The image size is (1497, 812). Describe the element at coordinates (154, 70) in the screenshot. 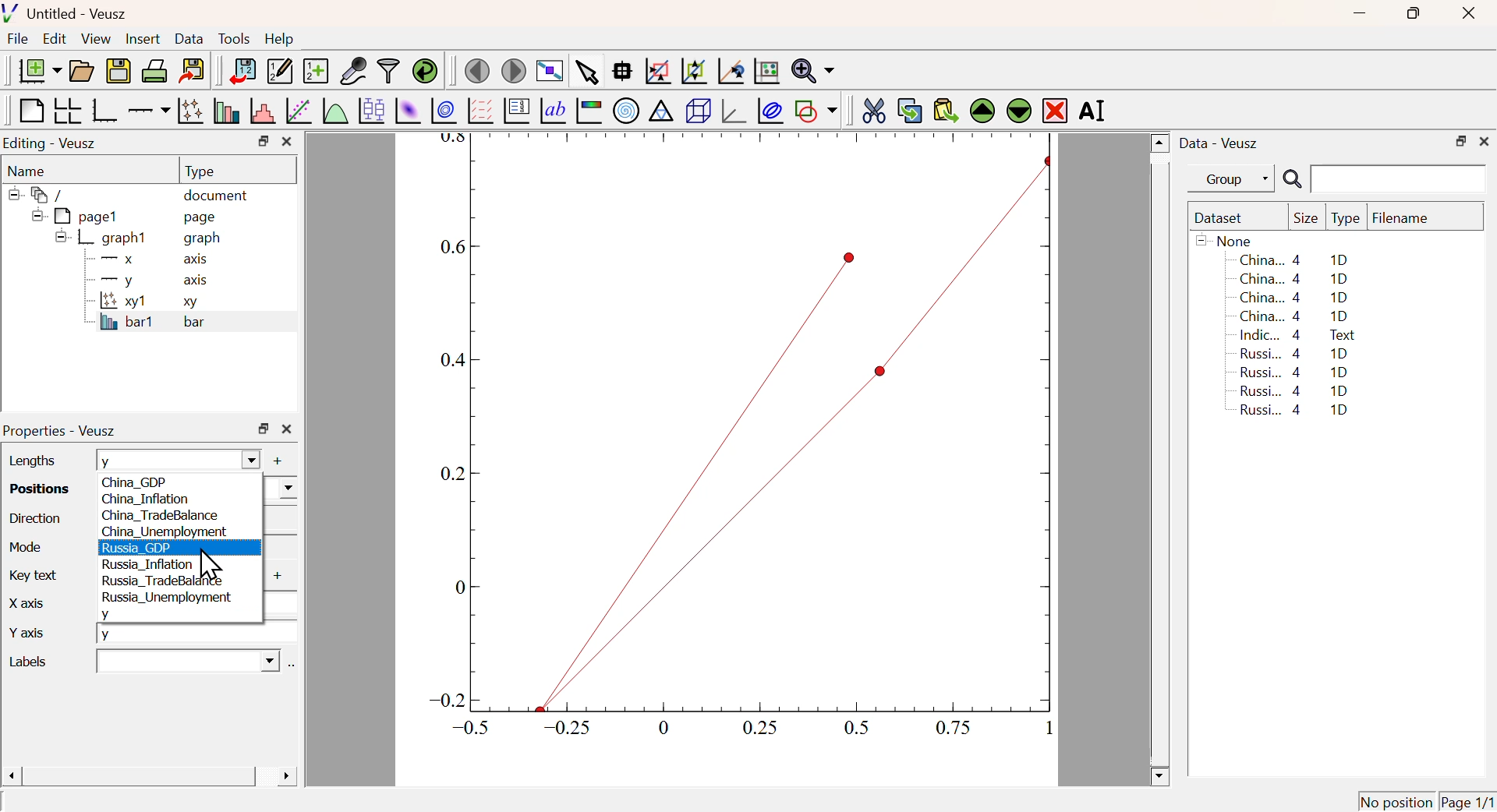

I see `Print Document` at that location.